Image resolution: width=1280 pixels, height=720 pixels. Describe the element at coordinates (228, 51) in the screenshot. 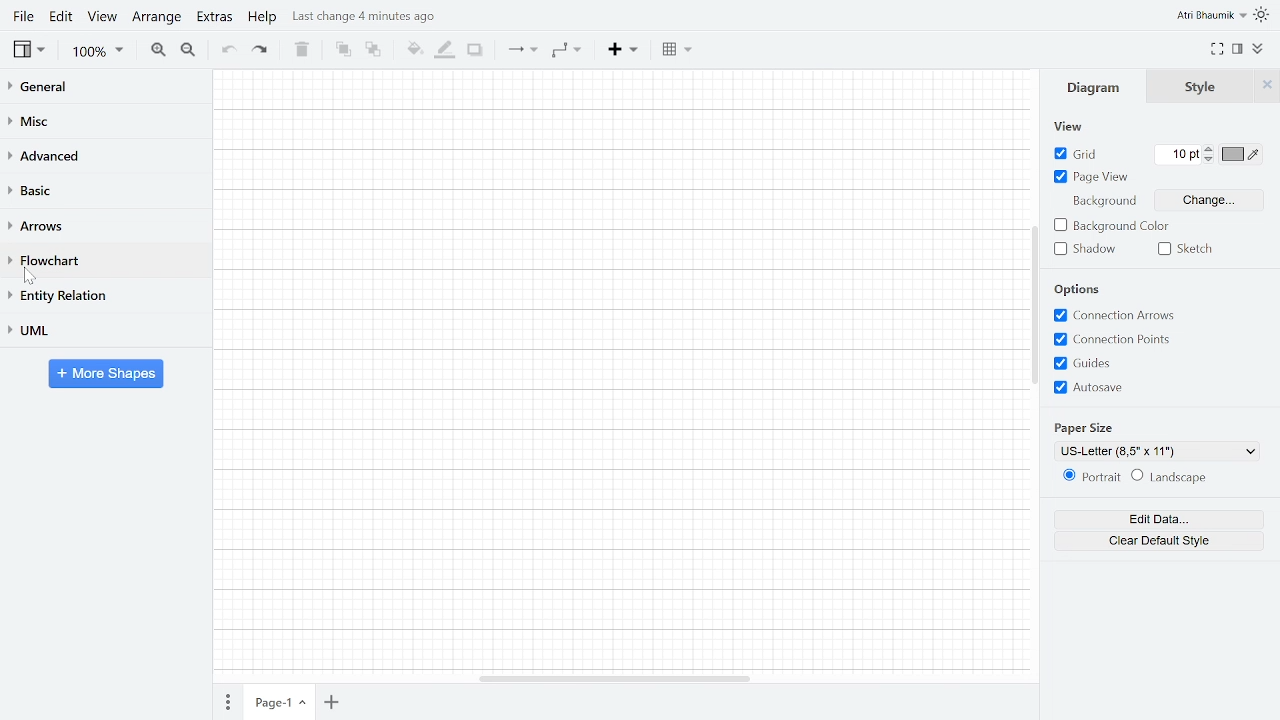

I see `Undo` at that location.